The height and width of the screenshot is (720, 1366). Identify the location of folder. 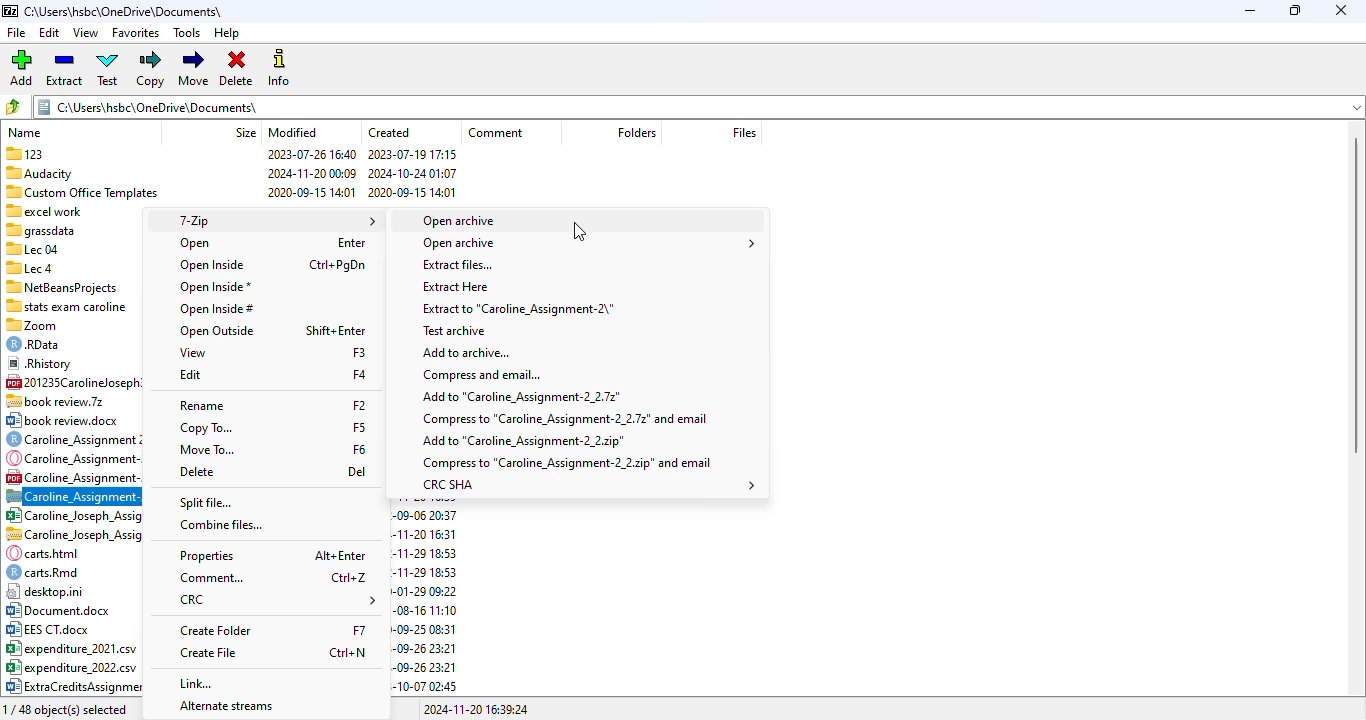
(698, 106).